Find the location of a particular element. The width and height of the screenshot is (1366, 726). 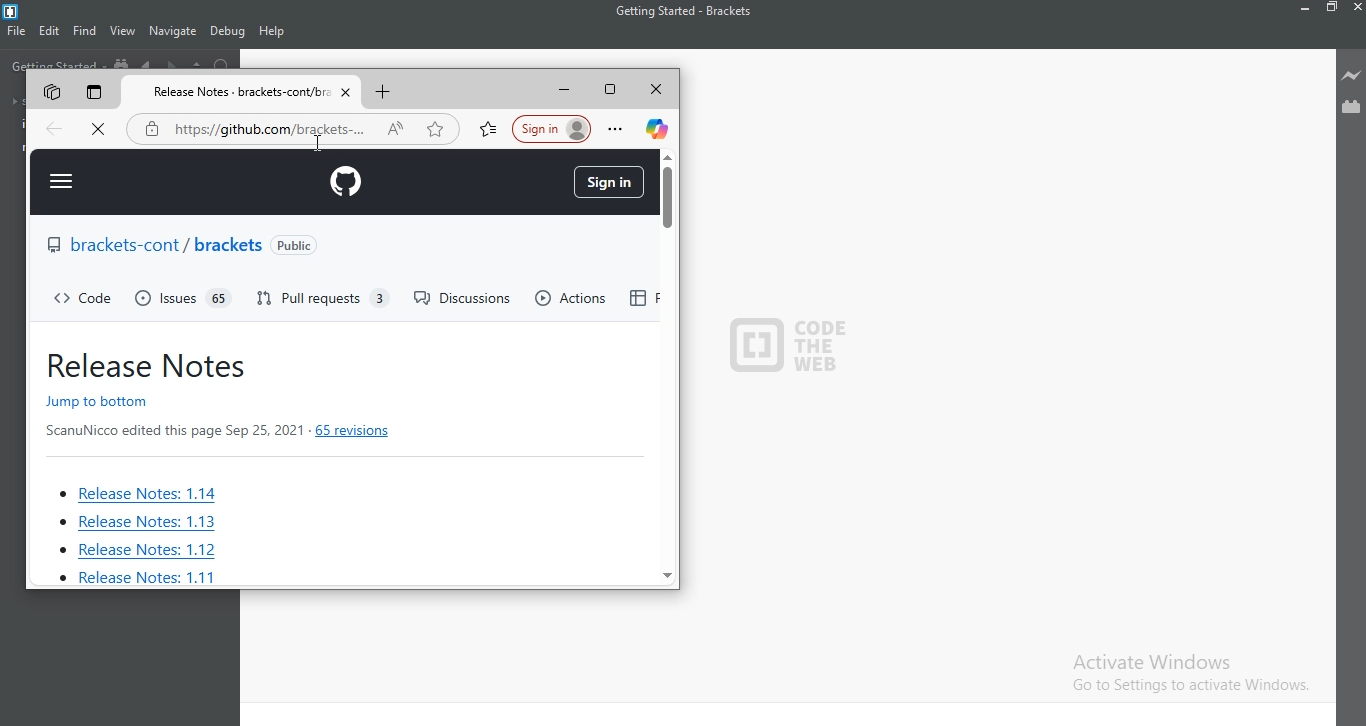

favourites manager is located at coordinates (489, 129).